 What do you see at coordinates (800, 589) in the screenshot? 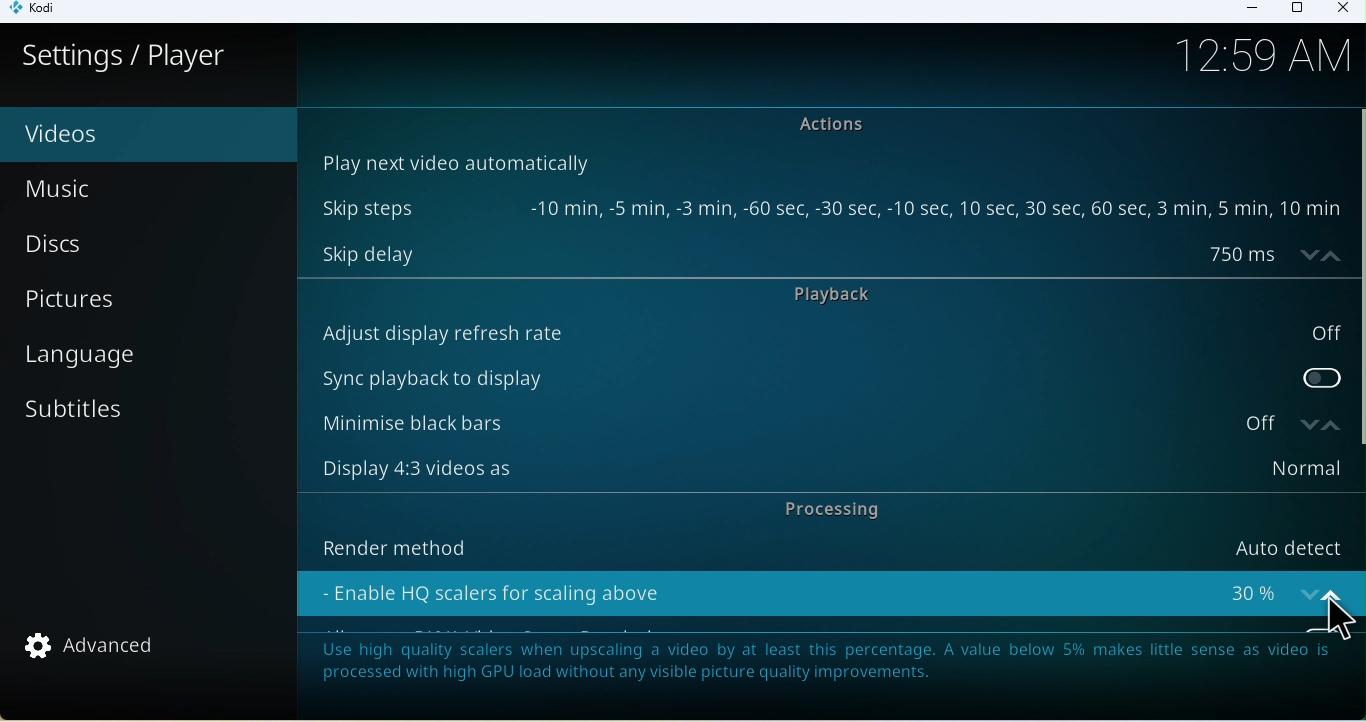
I see `Enable HQ scalers for scaling above` at bounding box center [800, 589].